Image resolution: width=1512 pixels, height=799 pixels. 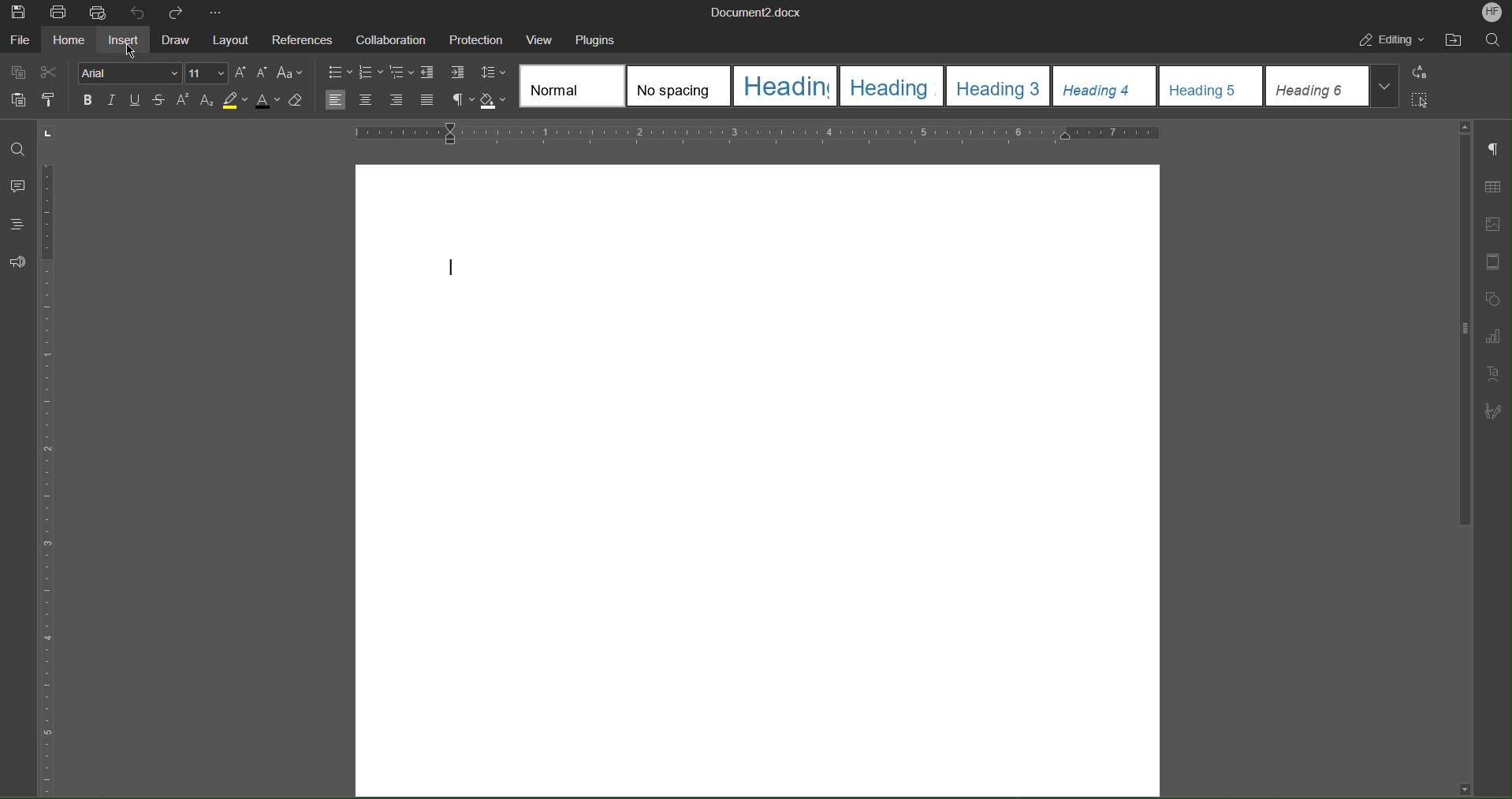 I want to click on Line Spacing, so click(x=491, y=72).